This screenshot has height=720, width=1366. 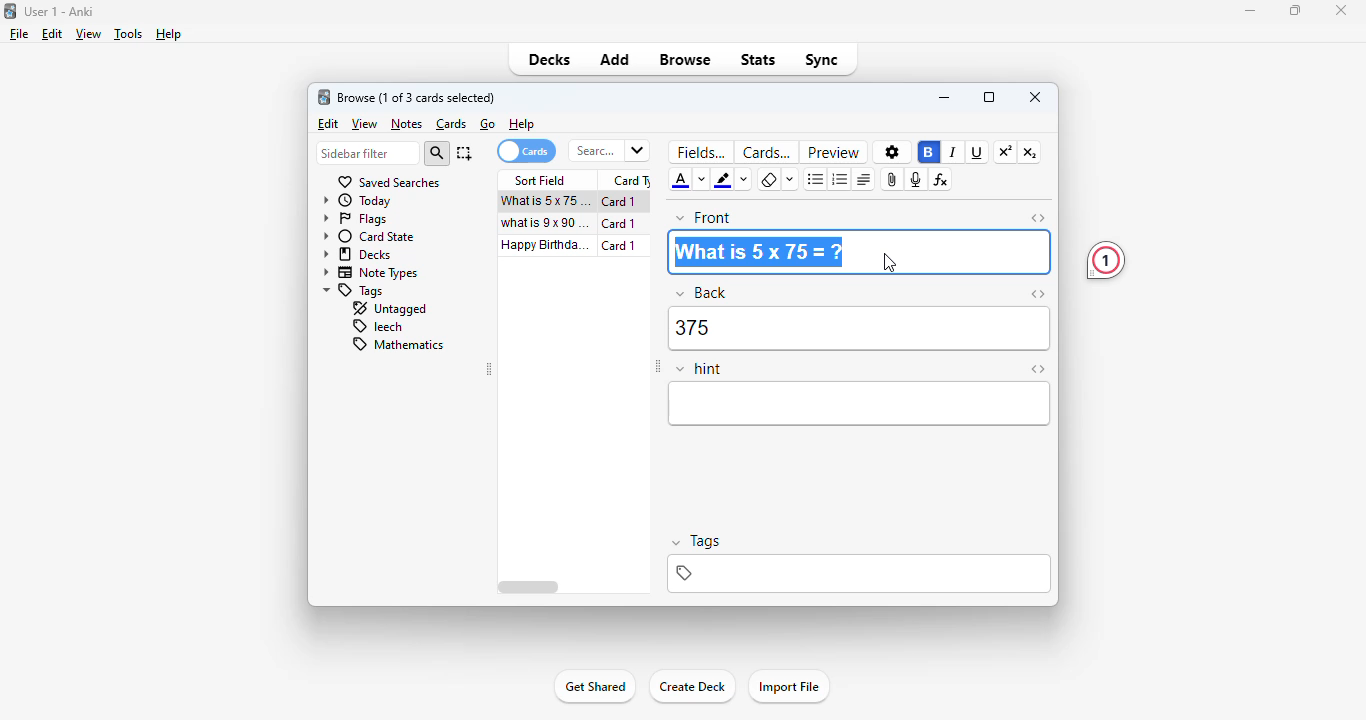 What do you see at coordinates (701, 152) in the screenshot?
I see `fields` at bounding box center [701, 152].